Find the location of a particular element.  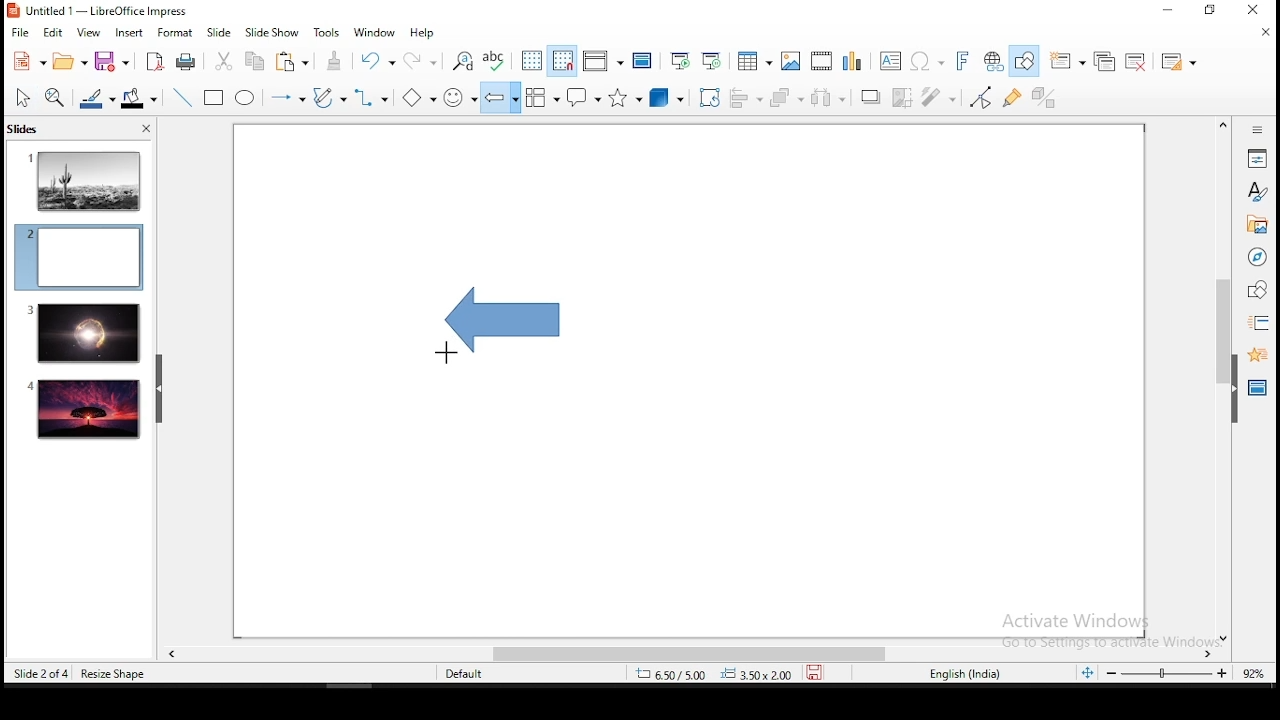

callout shapes is located at coordinates (585, 98).